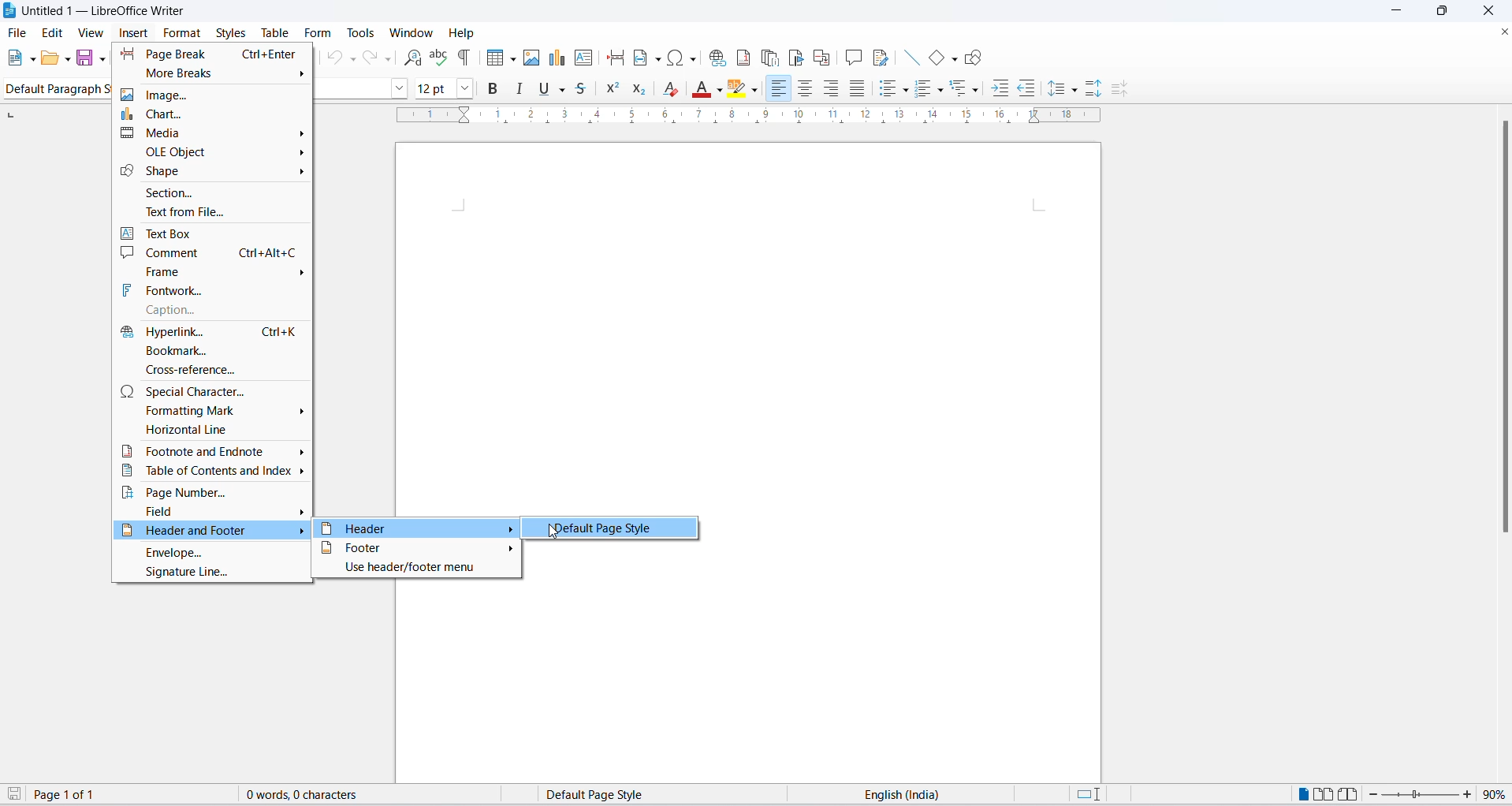  Describe the element at coordinates (1346, 794) in the screenshot. I see `book view` at that location.